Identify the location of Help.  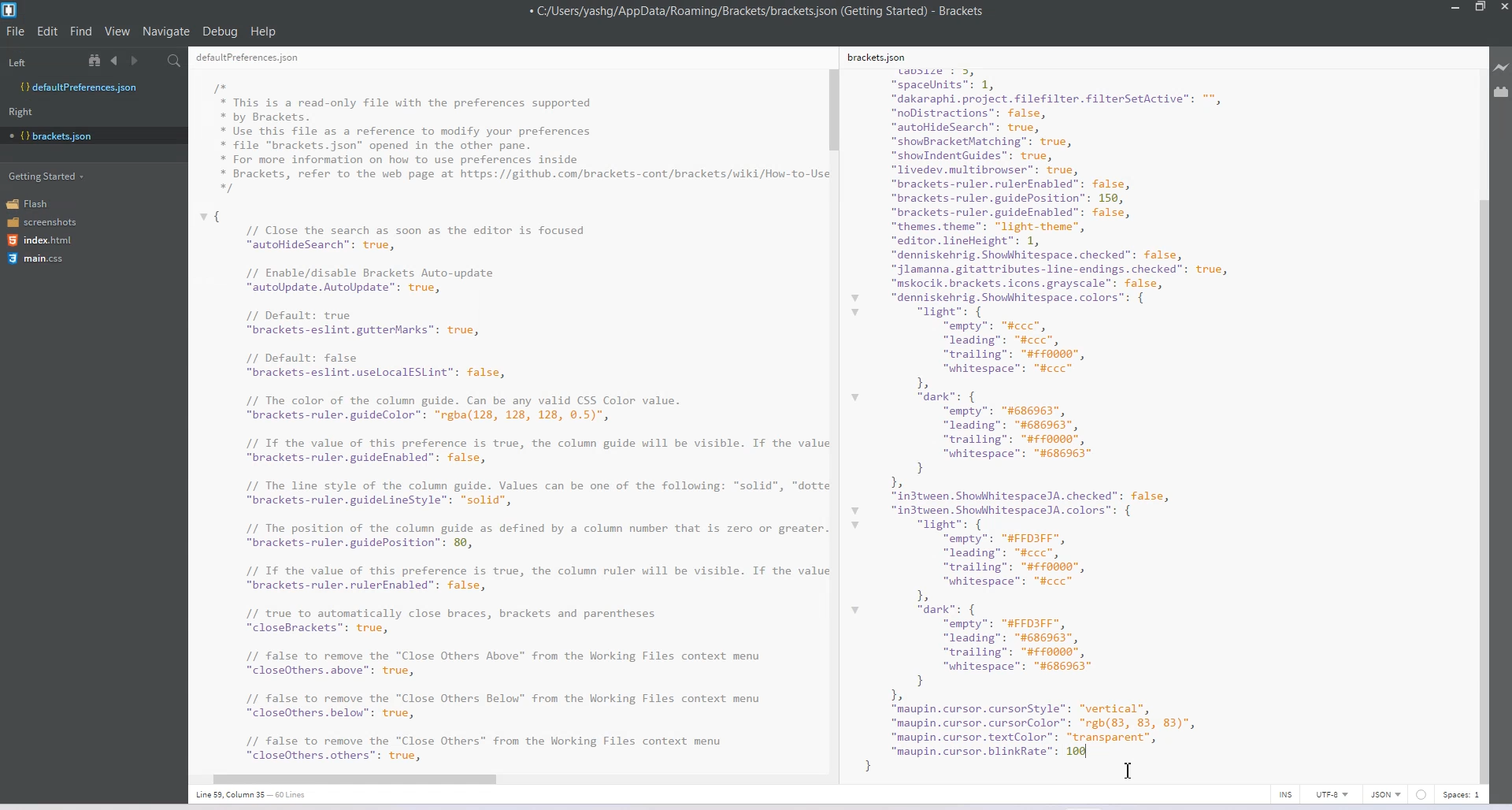
(264, 32).